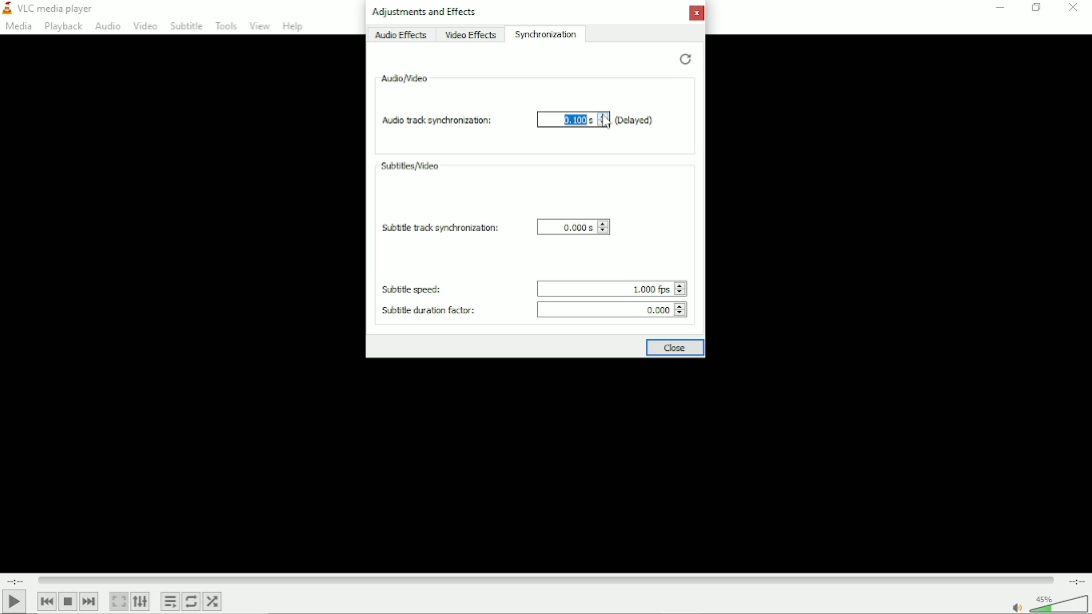 Image resolution: width=1092 pixels, height=614 pixels. What do you see at coordinates (425, 12) in the screenshot?
I see `Adjustments and effects` at bounding box center [425, 12].